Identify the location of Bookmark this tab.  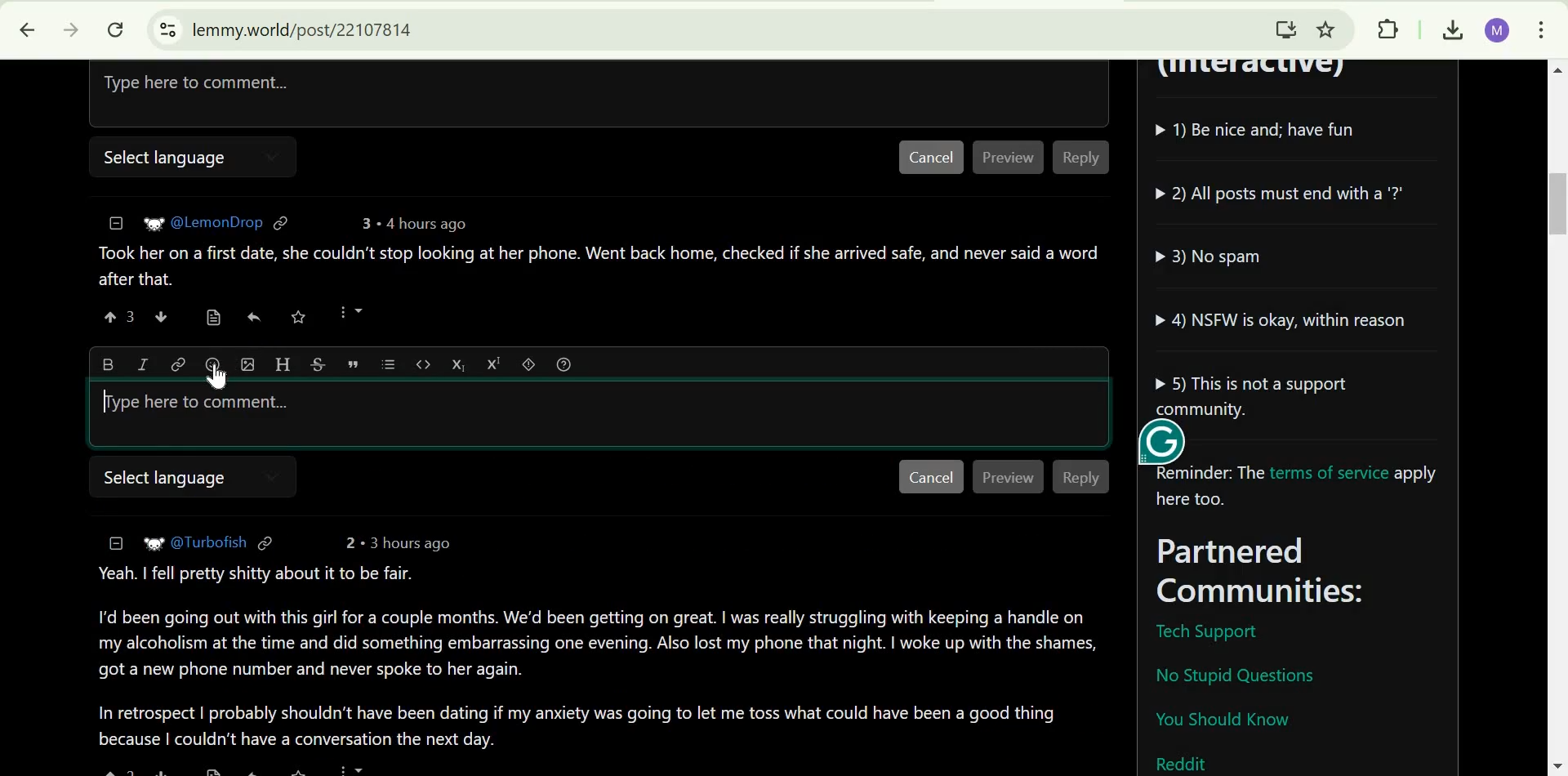
(1327, 27).